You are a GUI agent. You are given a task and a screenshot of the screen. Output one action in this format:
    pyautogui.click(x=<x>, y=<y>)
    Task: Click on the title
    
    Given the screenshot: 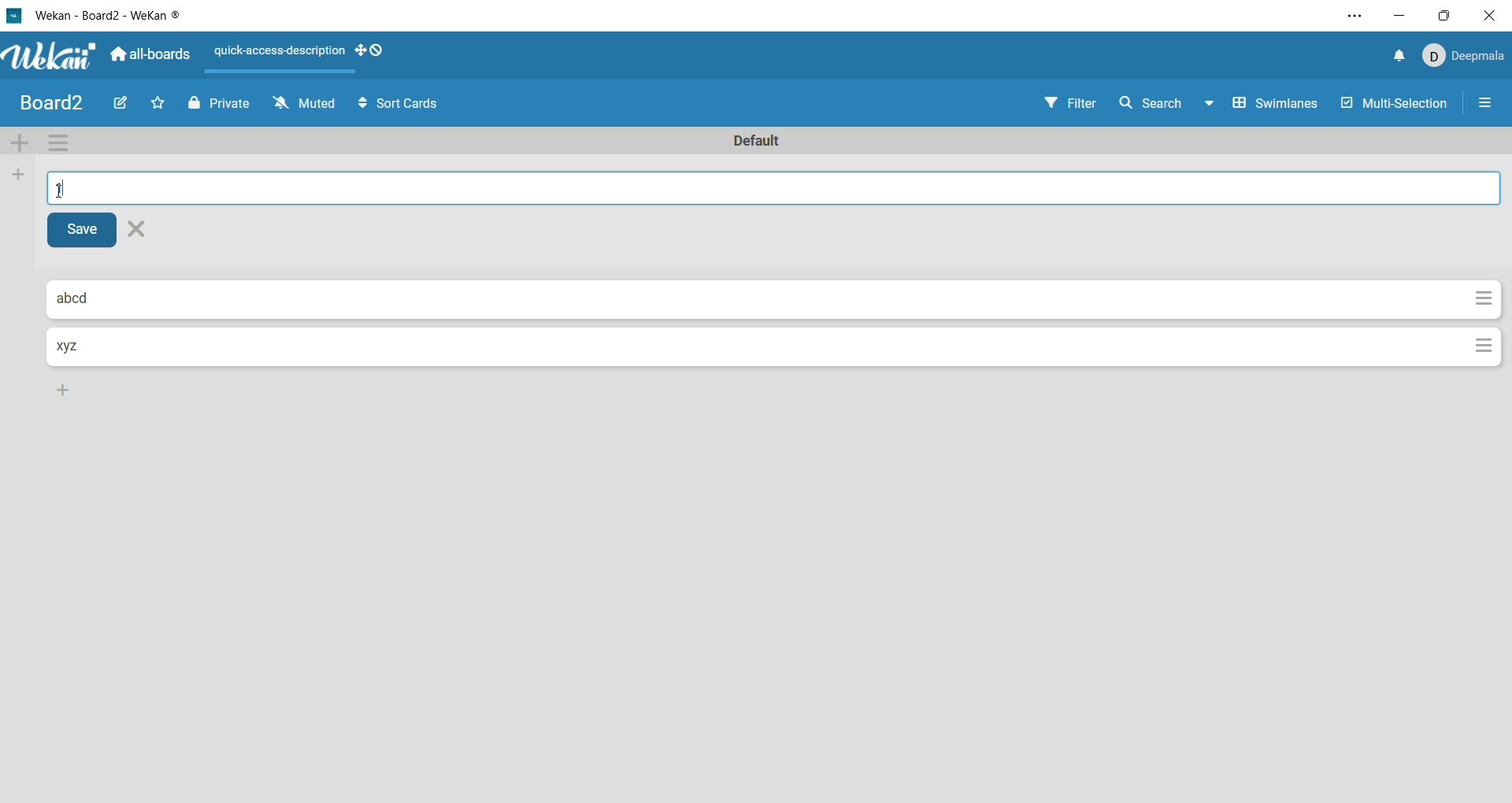 What is the action you would take?
    pyautogui.click(x=53, y=102)
    